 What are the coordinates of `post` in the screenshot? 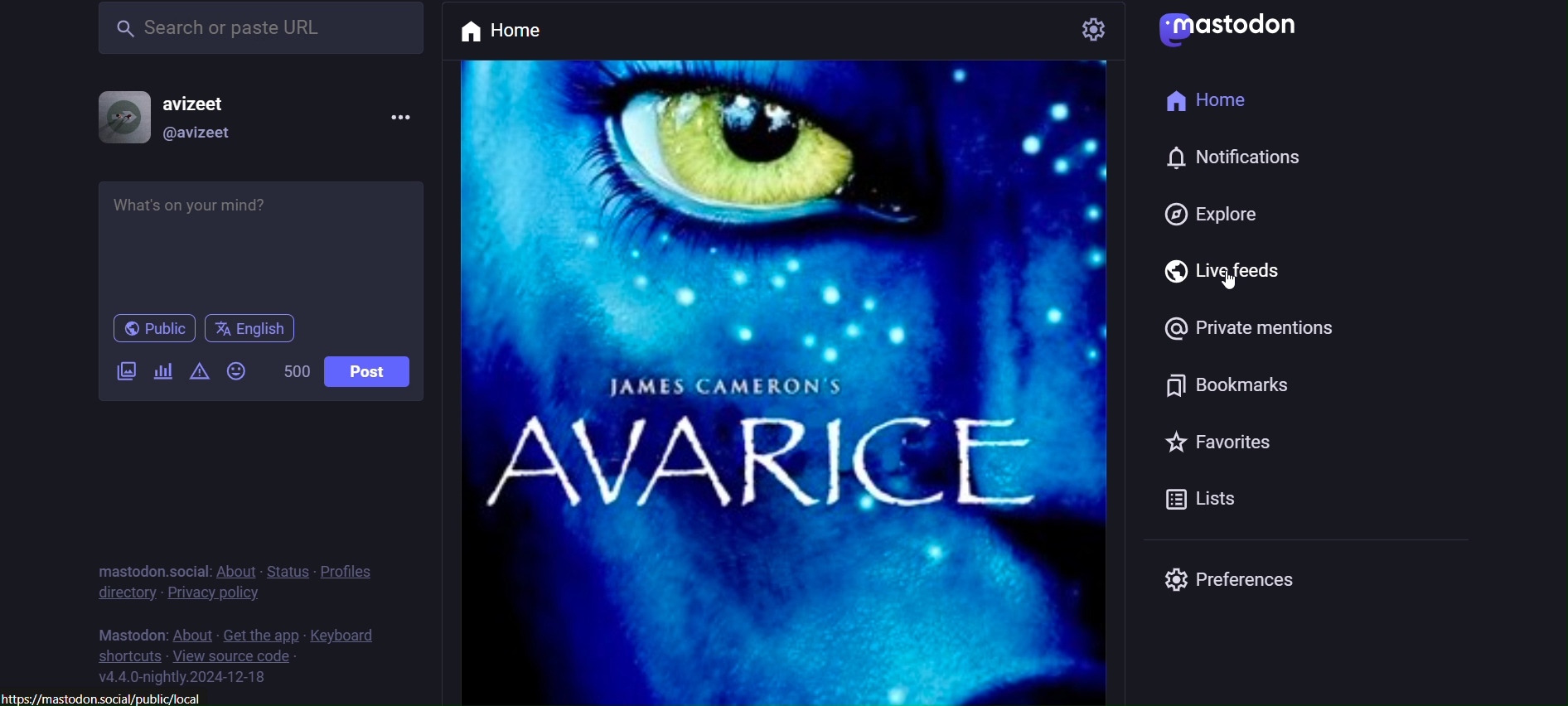 It's located at (375, 375).